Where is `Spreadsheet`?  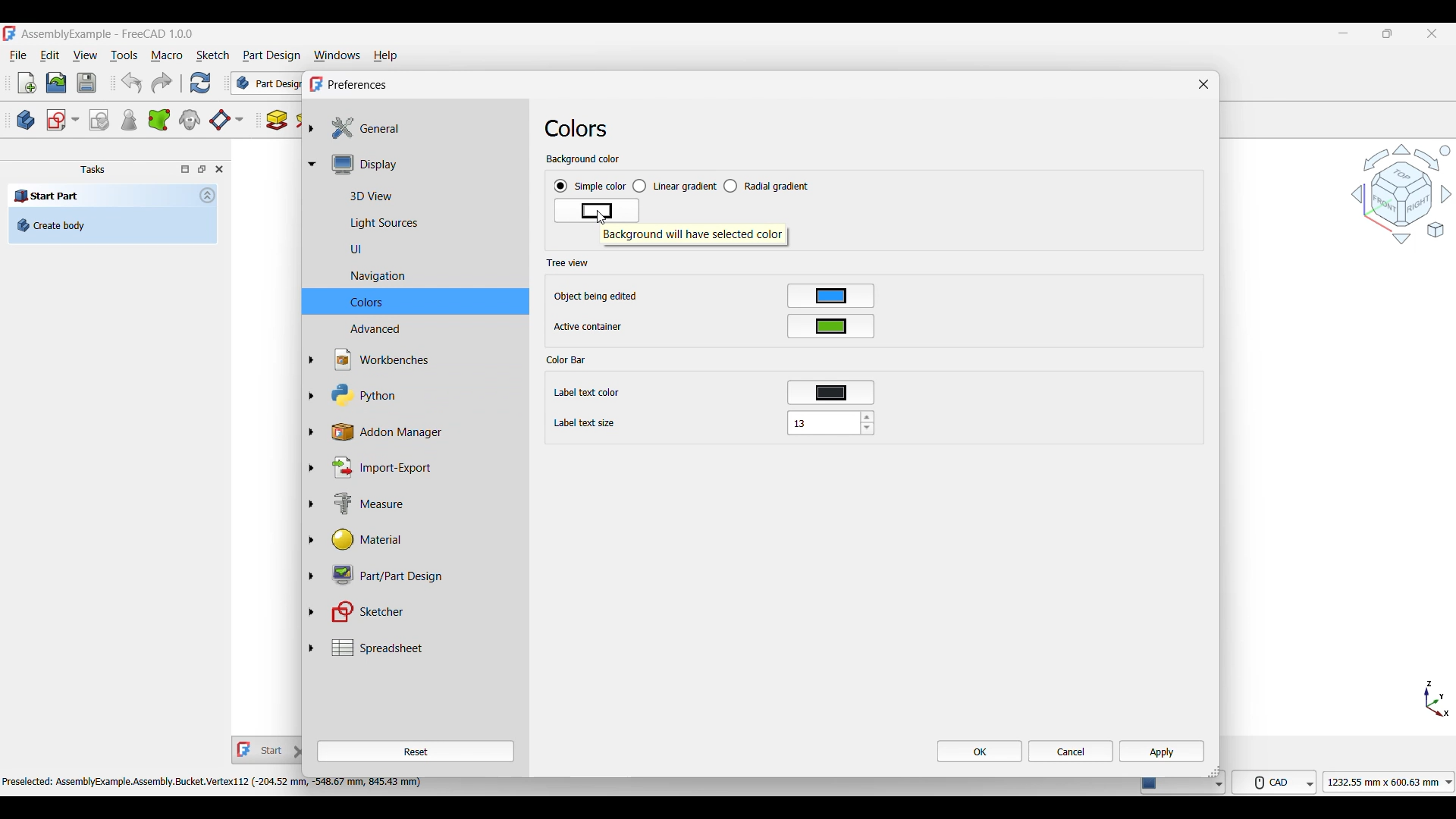 Spreadsheet is located at coordinates (424, 648).